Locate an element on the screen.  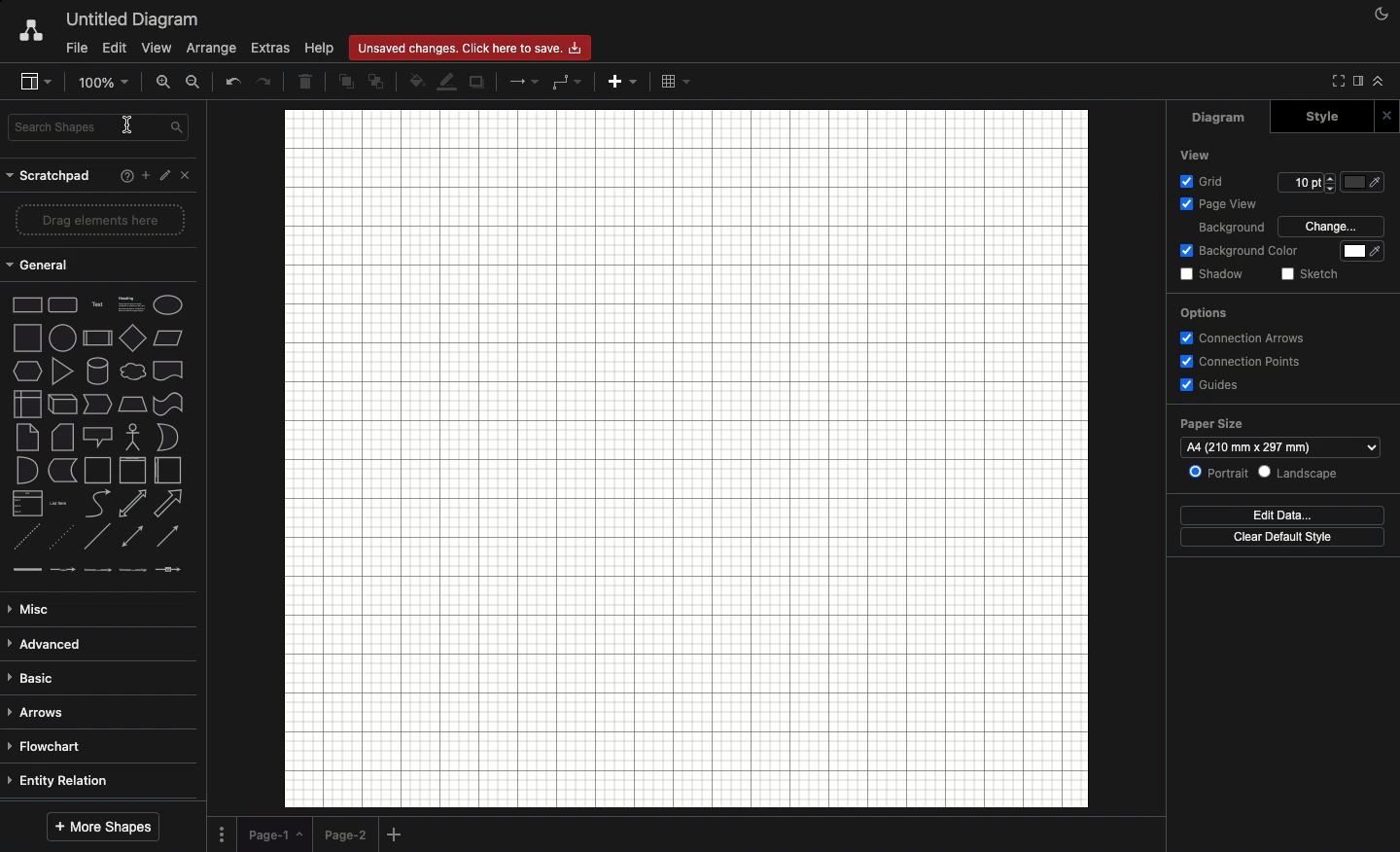
text cursor is located at coordinates (129, 125).